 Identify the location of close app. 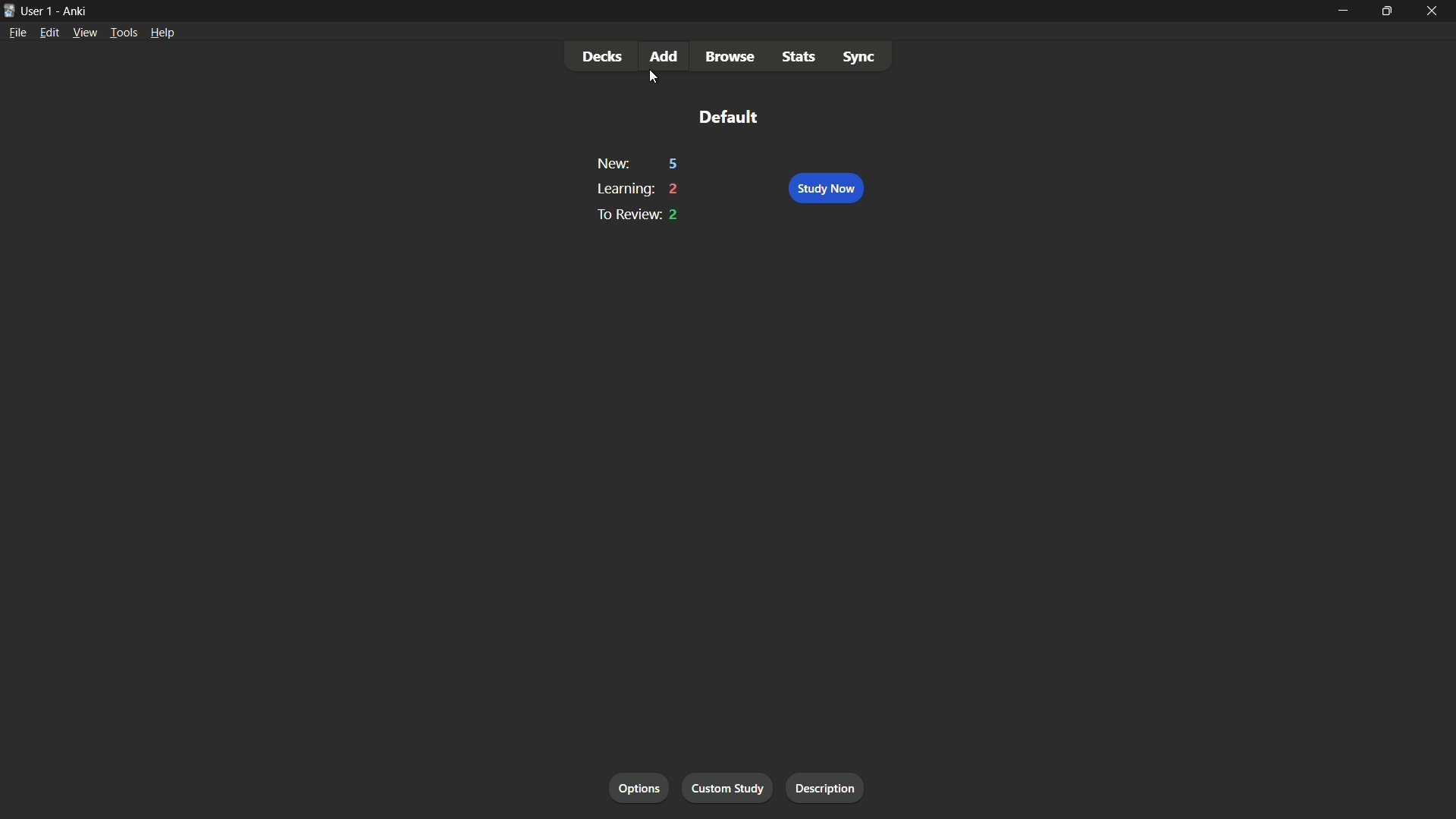
(1433, 11).